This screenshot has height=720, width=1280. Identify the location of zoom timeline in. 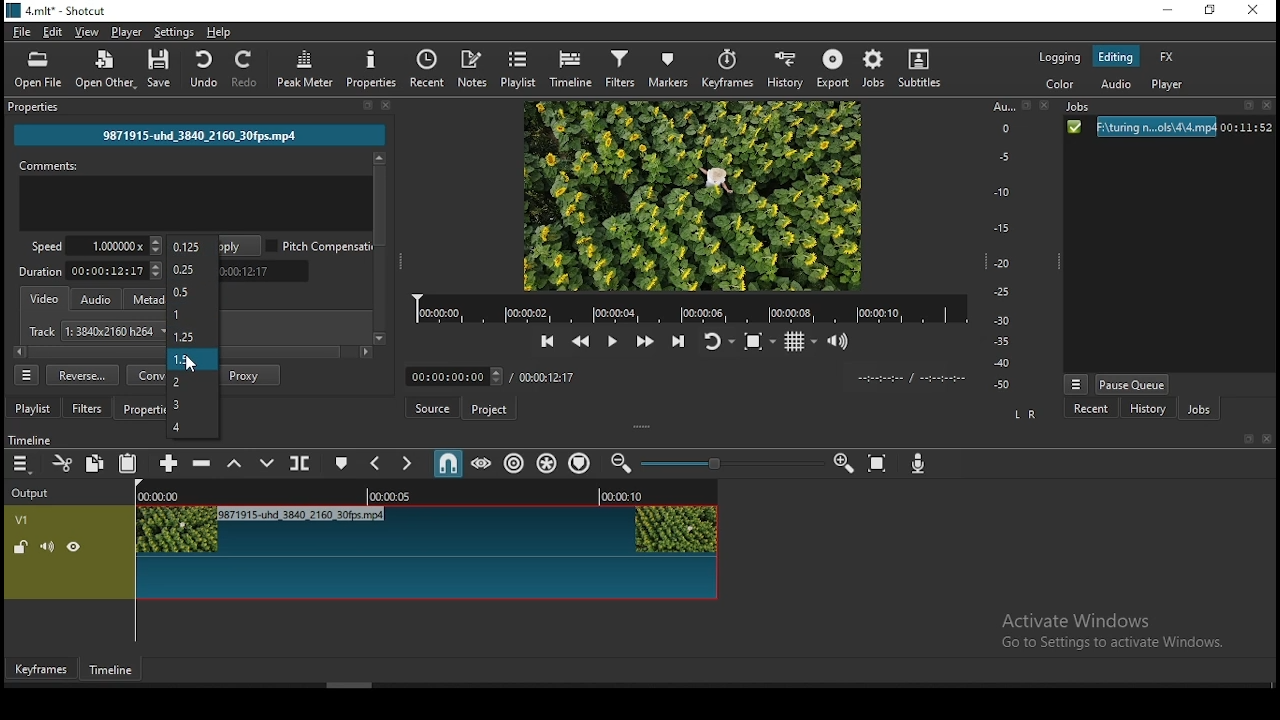
(843, 458).